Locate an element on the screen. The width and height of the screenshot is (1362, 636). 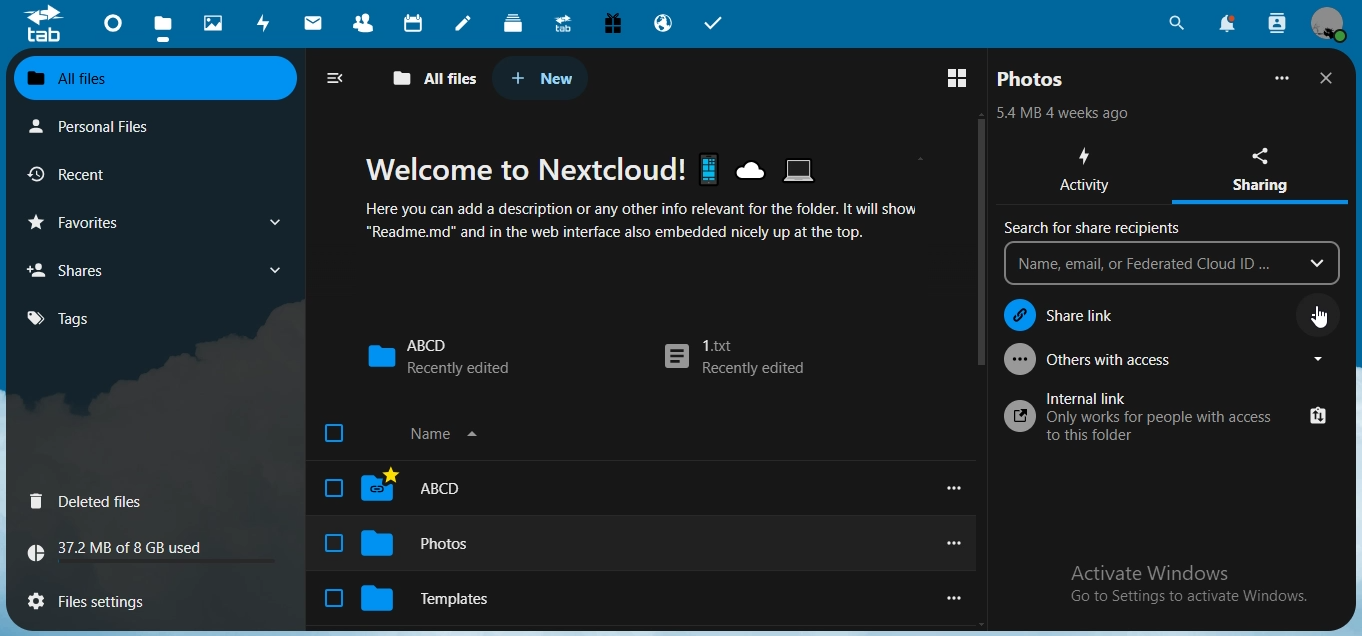
activity is located at coordinates (268, 23).